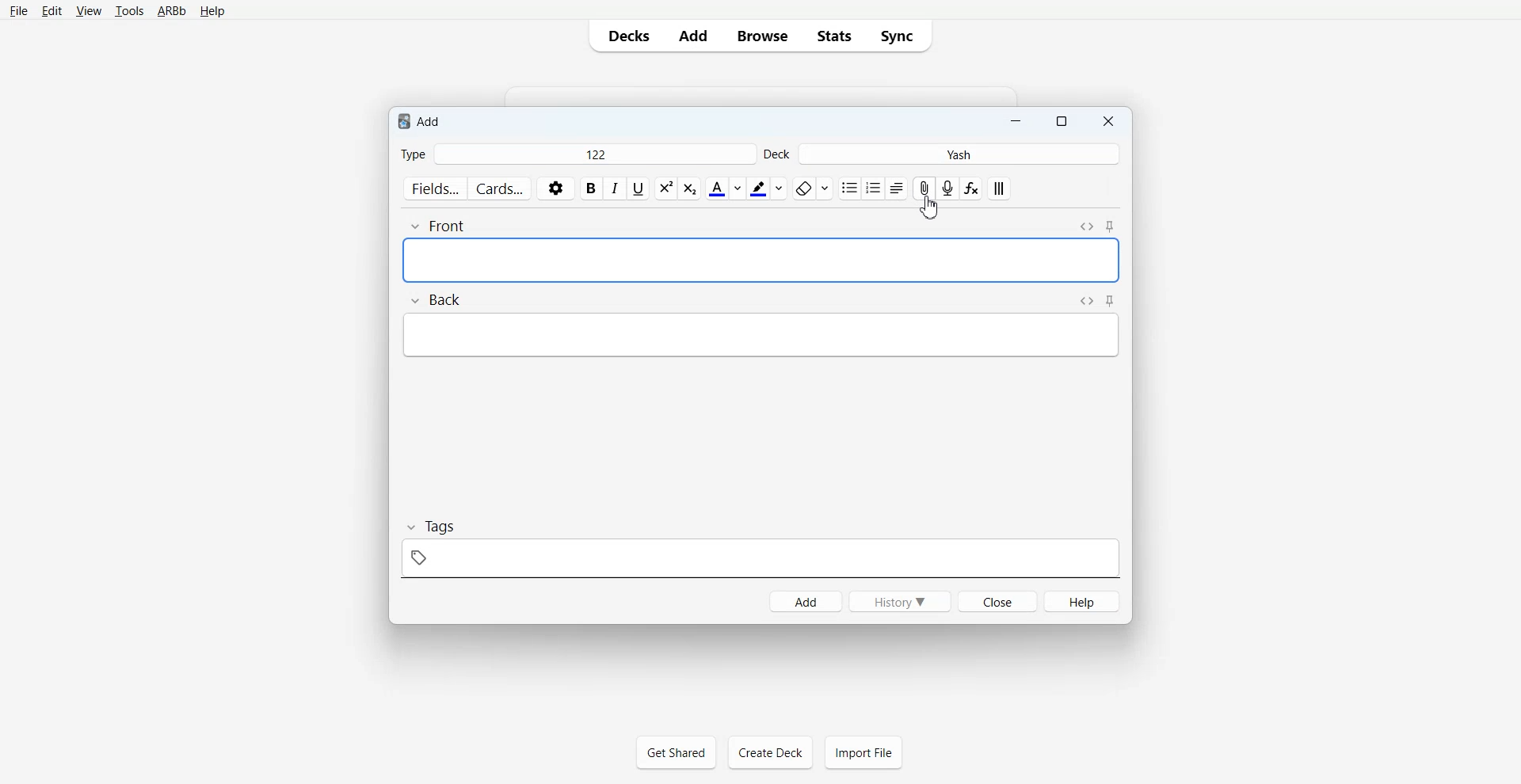 The image size is (1521, 784). What do you see at coordinates (997, 601) in the screenshot?
I see `Close` at bounding box center [997, 601].